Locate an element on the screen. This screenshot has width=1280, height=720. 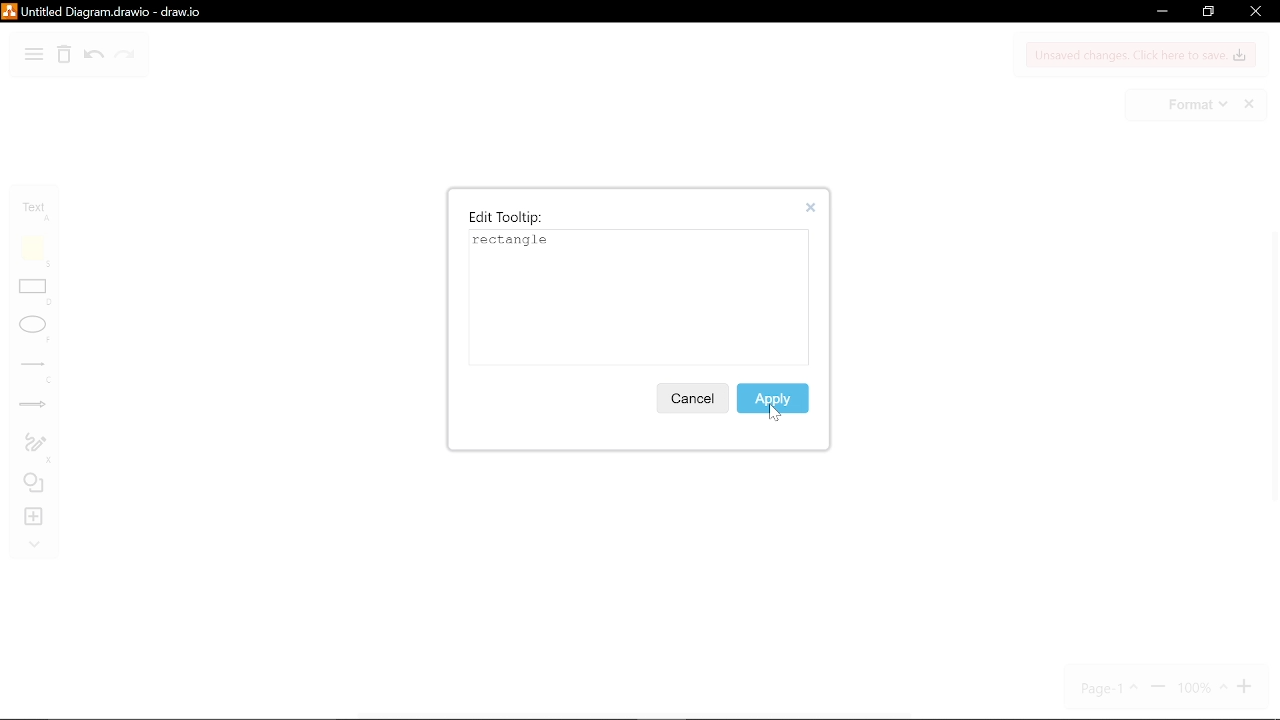
delete is located at coordinates (64, 57).